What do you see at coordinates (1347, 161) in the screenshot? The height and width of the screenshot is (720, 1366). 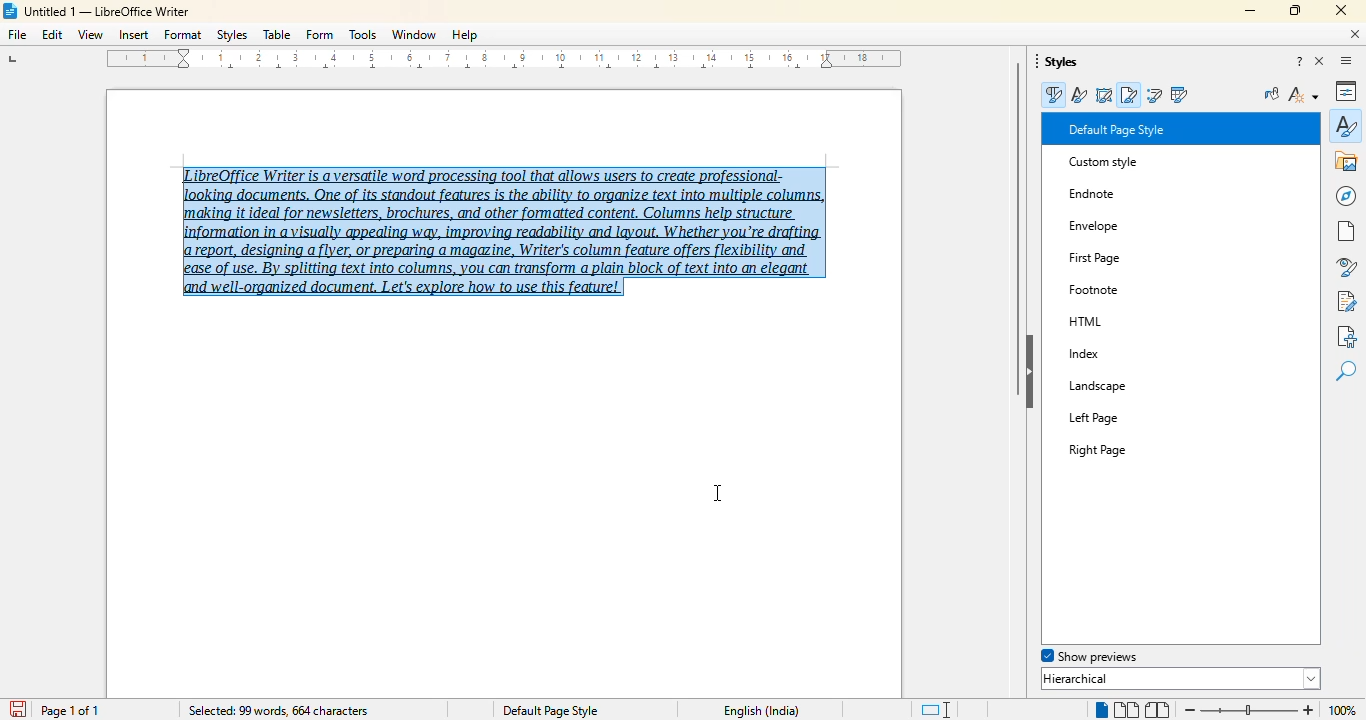 I see `gallery` at bounding box center [1347, 161].